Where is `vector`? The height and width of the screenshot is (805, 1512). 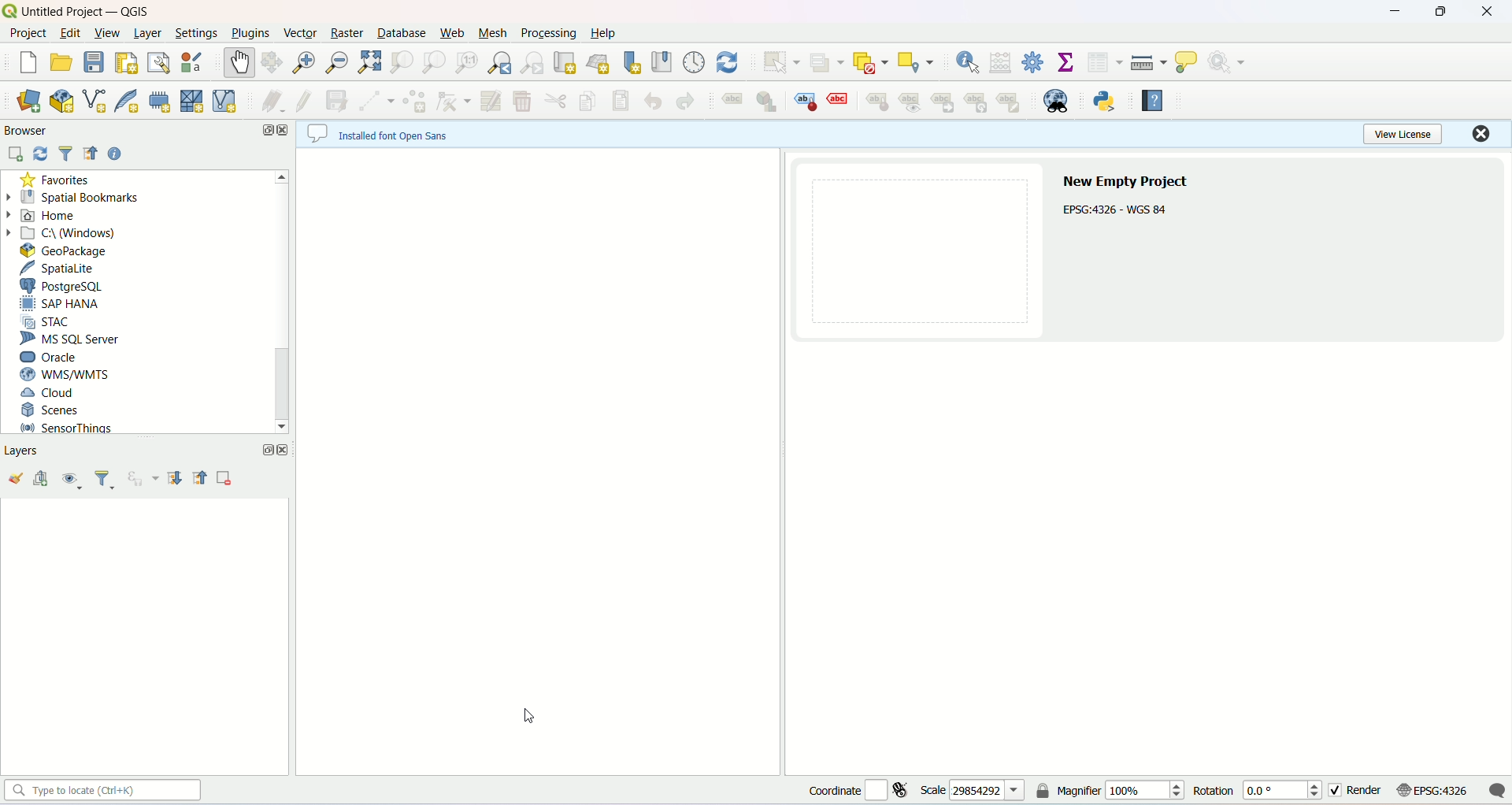
vector is located at coordinates (301, 34).